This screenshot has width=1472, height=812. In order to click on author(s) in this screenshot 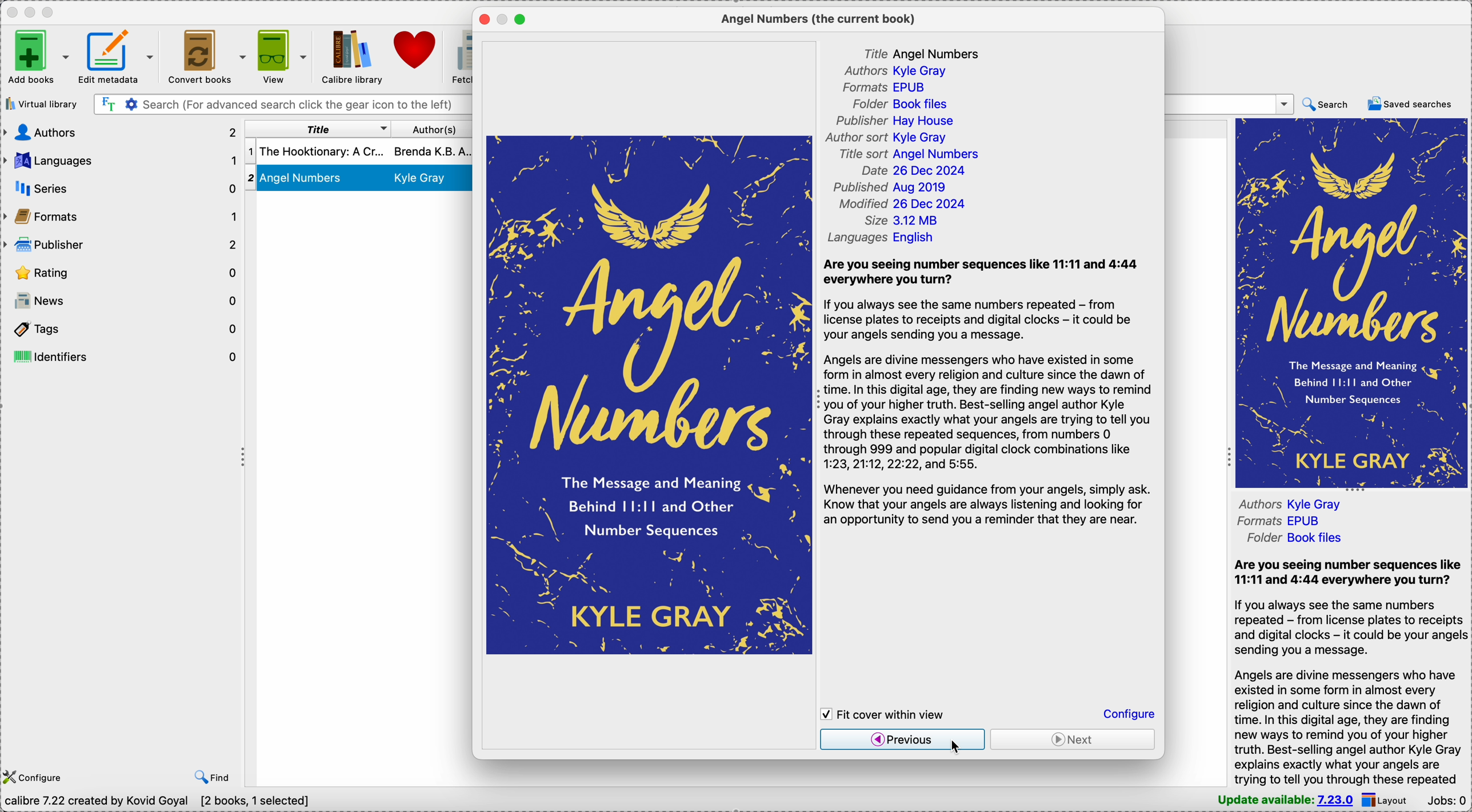, I will do `click(433, 129)`.